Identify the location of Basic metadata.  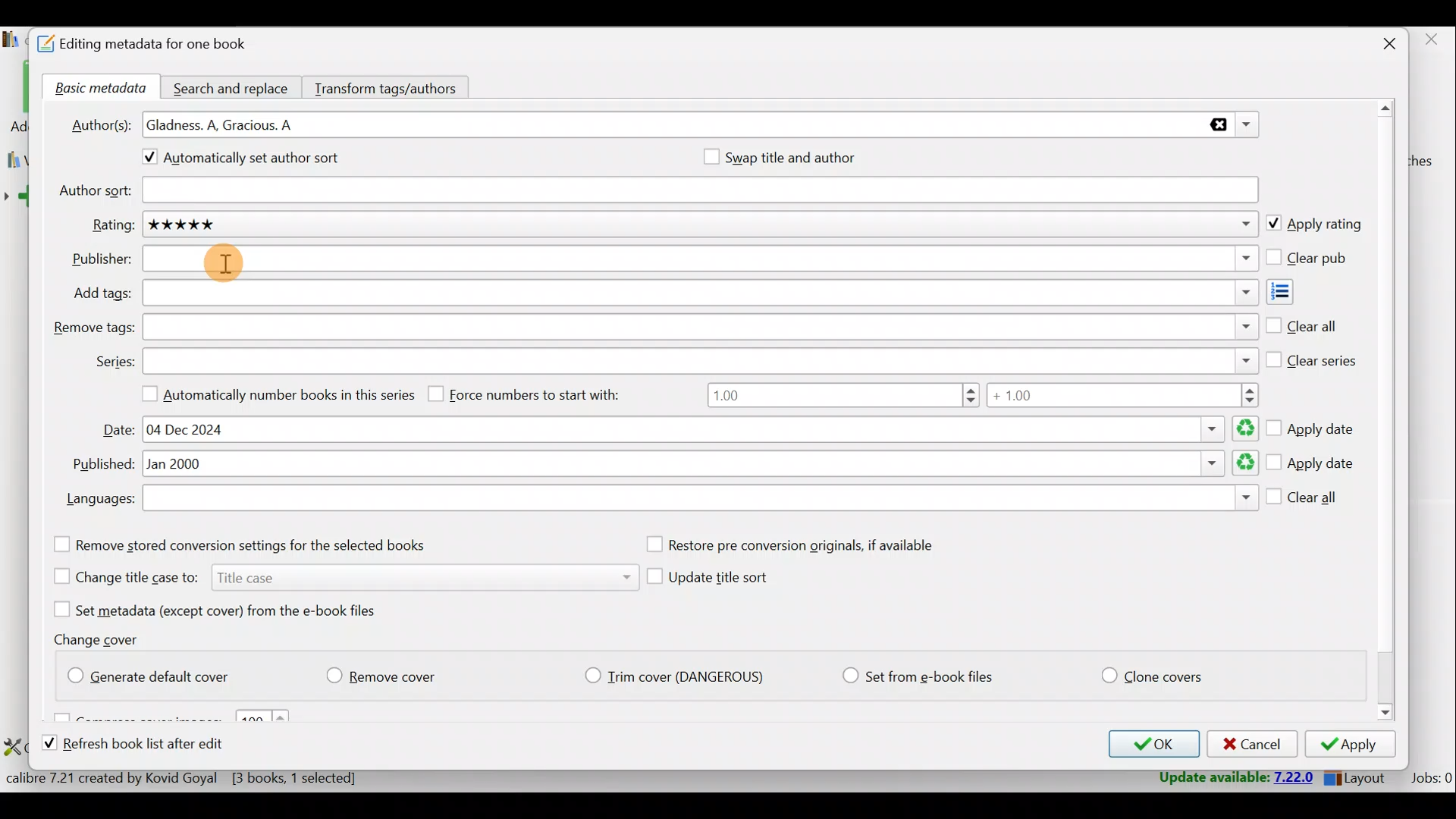
(96, 89).